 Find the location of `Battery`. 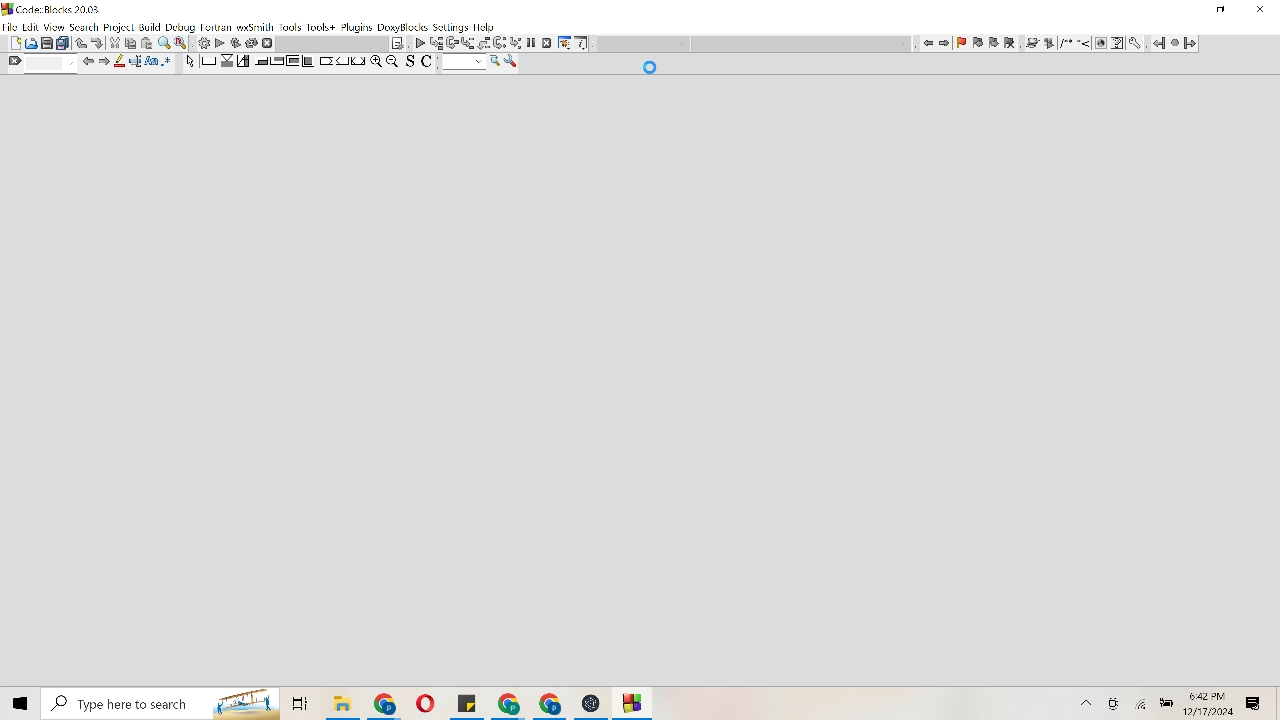

Battery is located at coordinates (1167, 702).